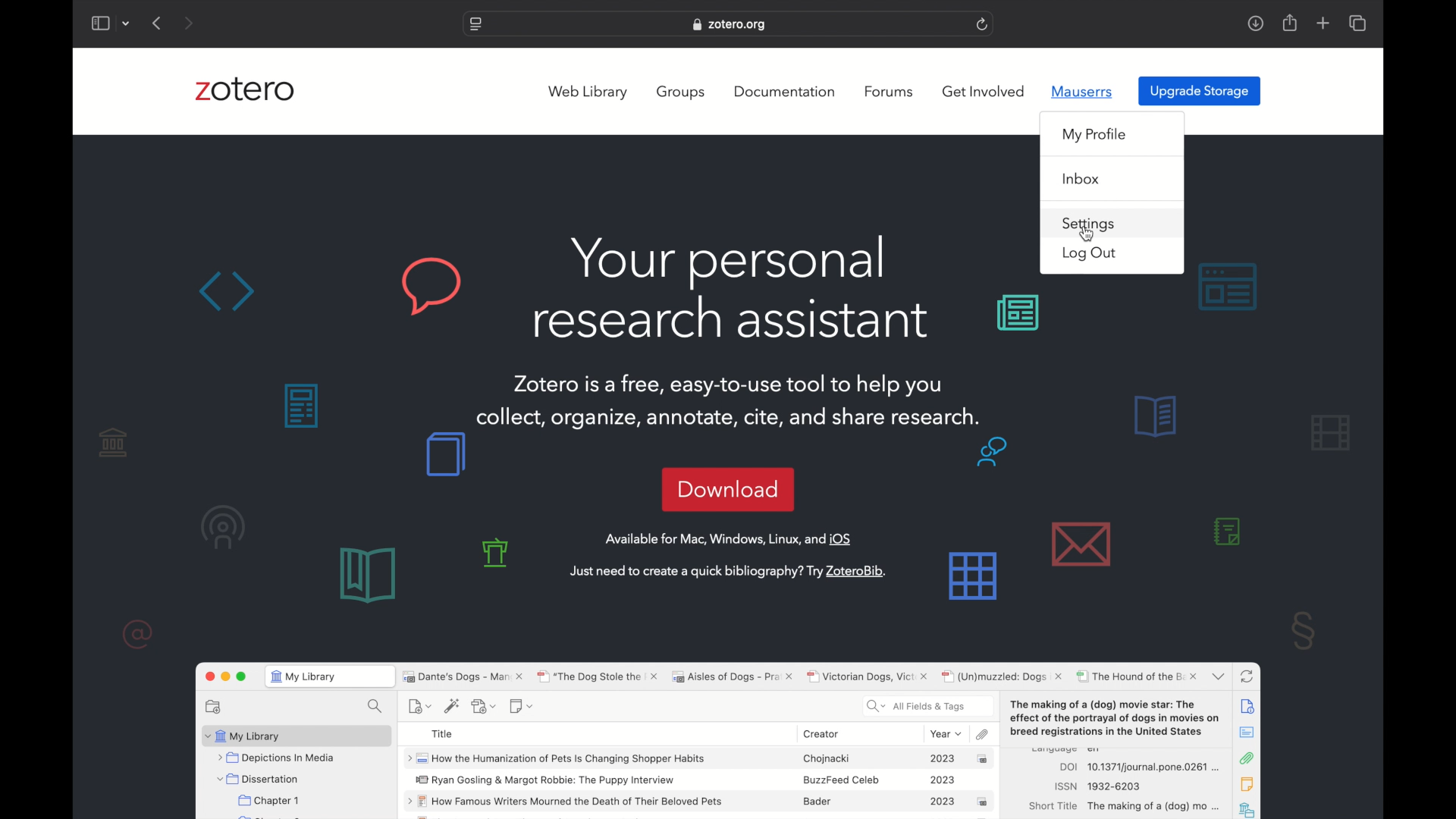  What do you see at coordinates (727, 736) in the screenshot?
I see `zotero software preview` at bounding box center [727, 736].